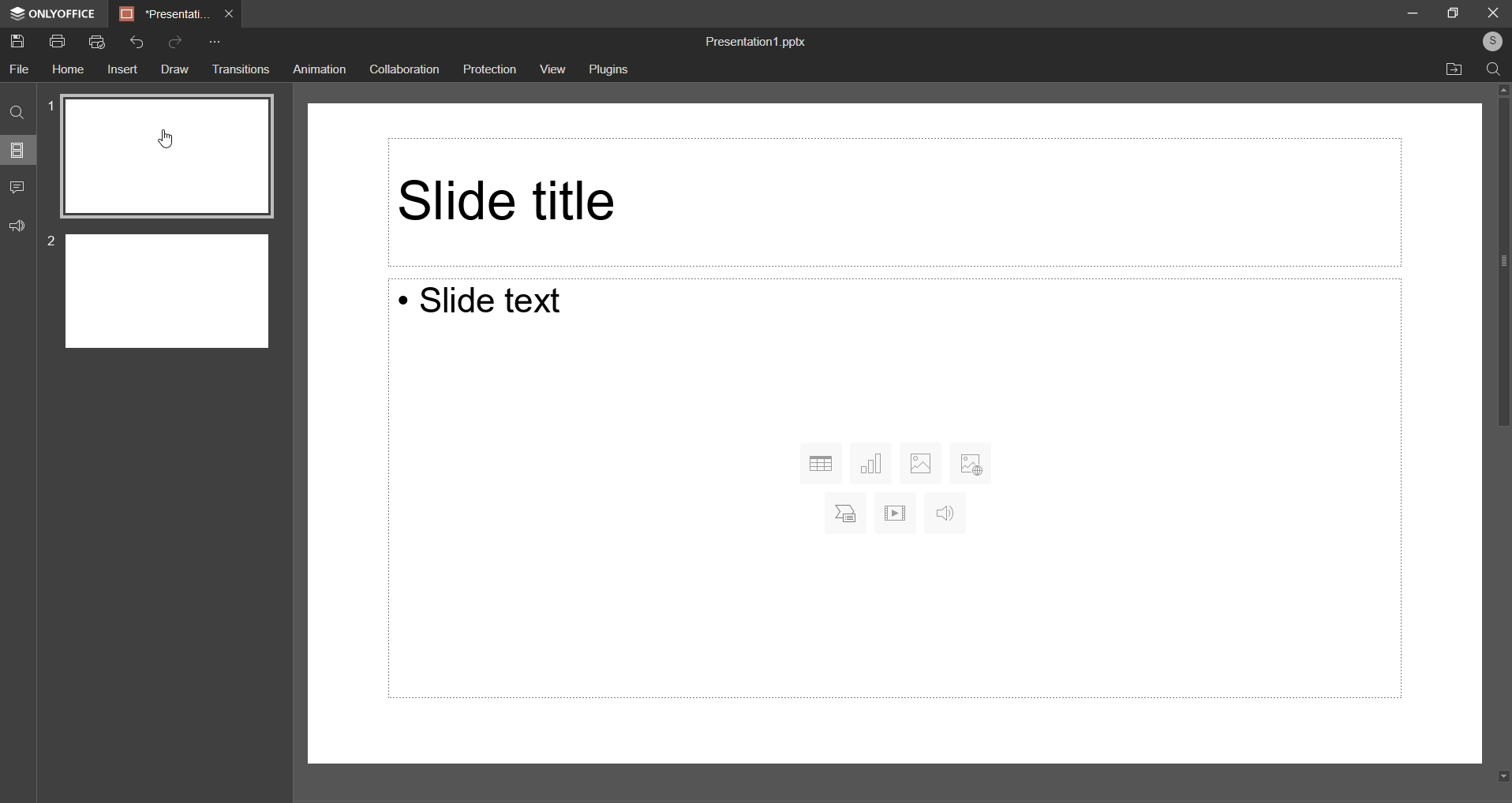 This screenshot has height=803, width=1512. I want to click on Slide Title, so click(888, 200).